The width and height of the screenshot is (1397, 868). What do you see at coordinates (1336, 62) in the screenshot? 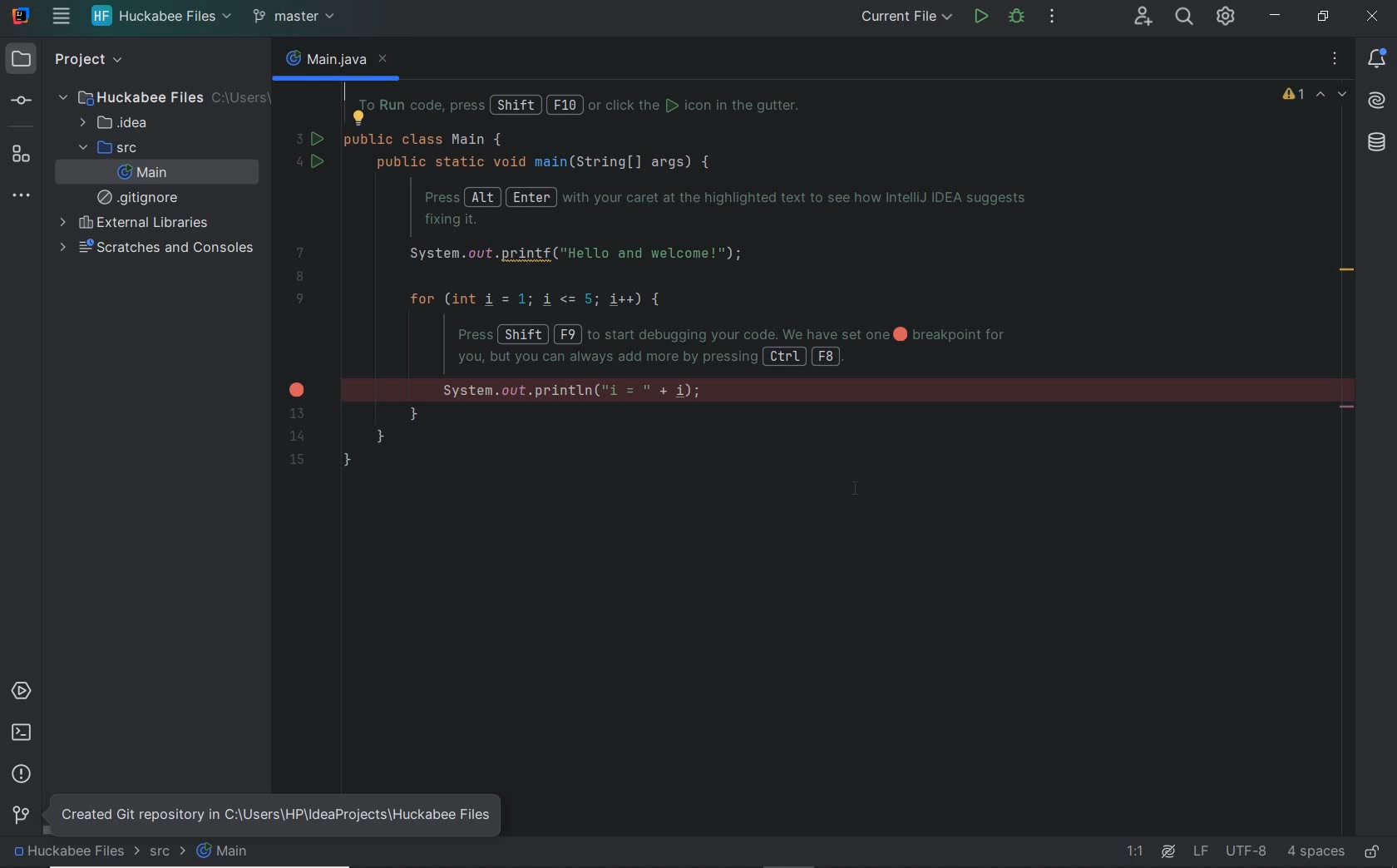
I see `recent files, tab actions` at bounding box center [1336, 62].